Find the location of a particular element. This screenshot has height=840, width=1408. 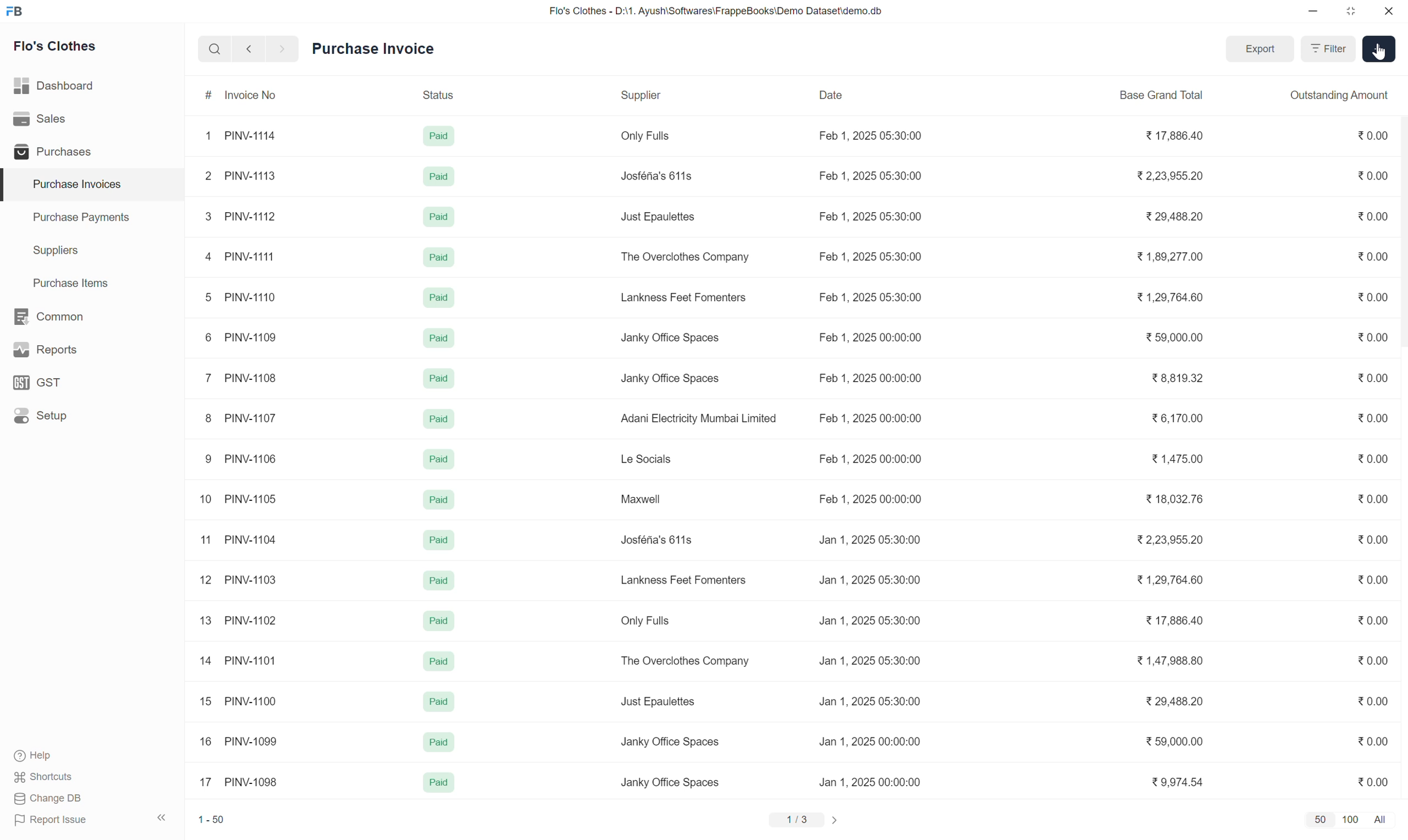

Sales is located at coordinates (91, 119).